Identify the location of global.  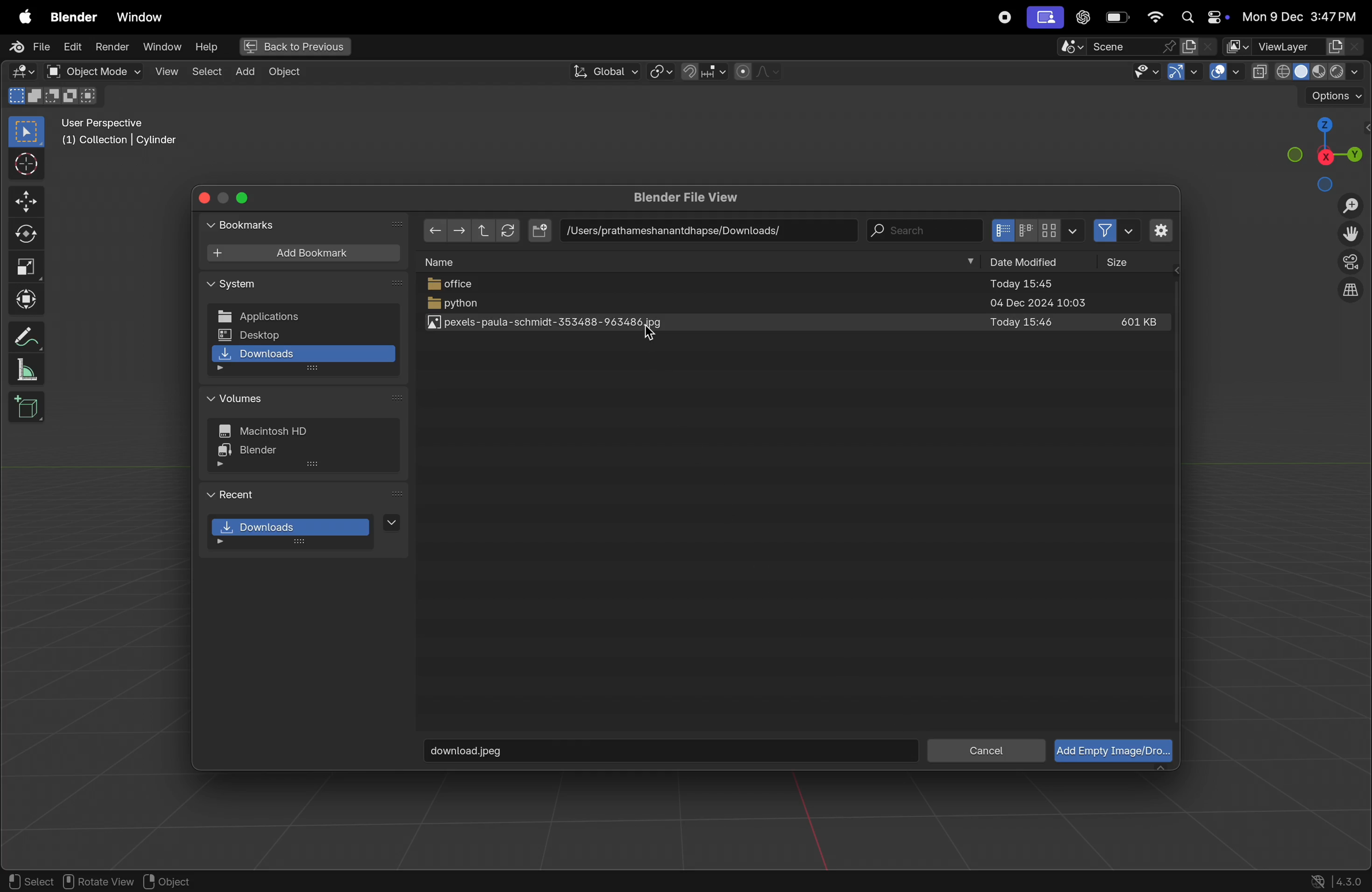
(604, 71).